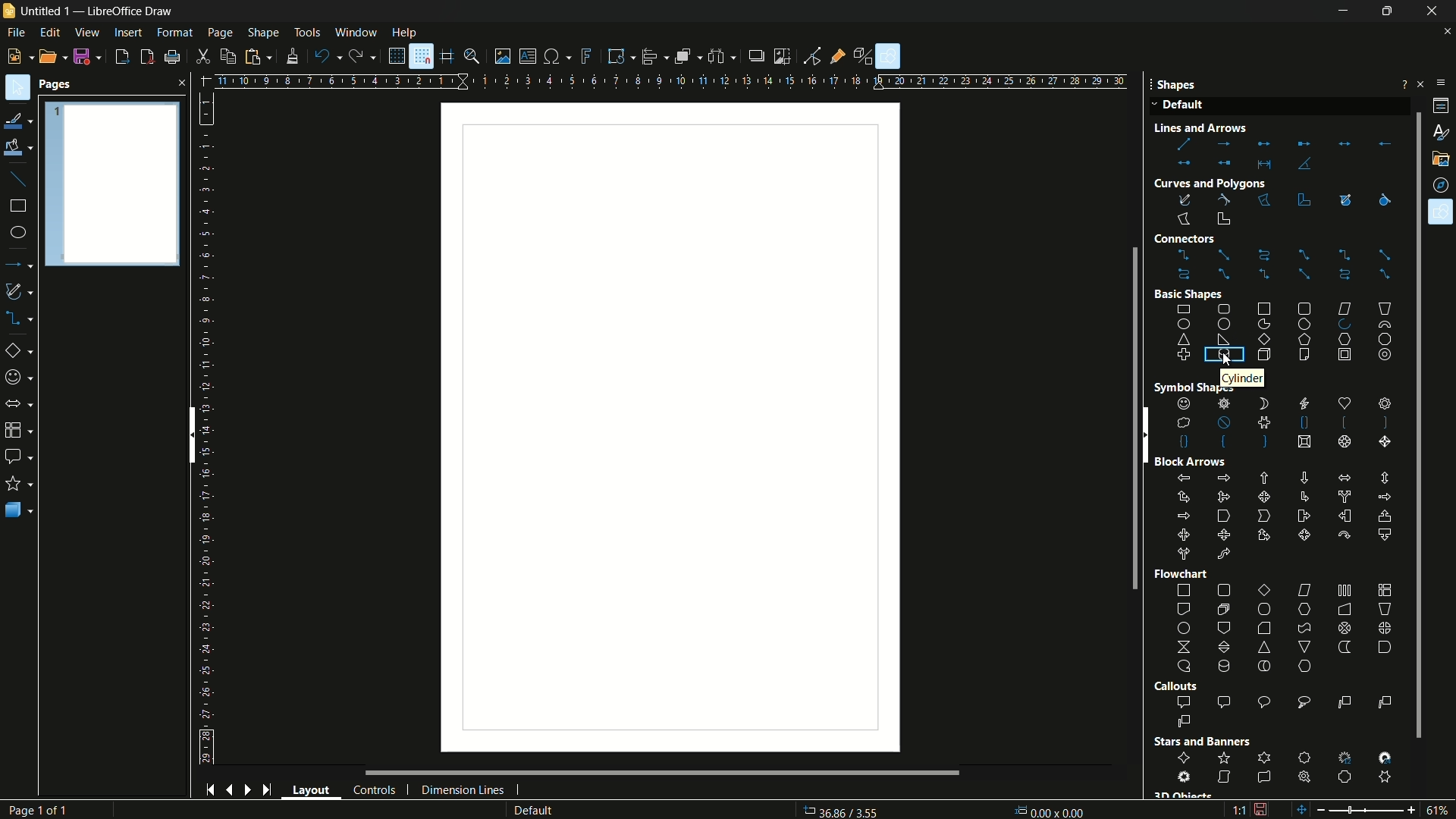 This screenshot has width=1456, height=819. What do you see at coordinates (472, 56) in the screenshot?
I see `zoom and pan` at bounding box center [472, 56].